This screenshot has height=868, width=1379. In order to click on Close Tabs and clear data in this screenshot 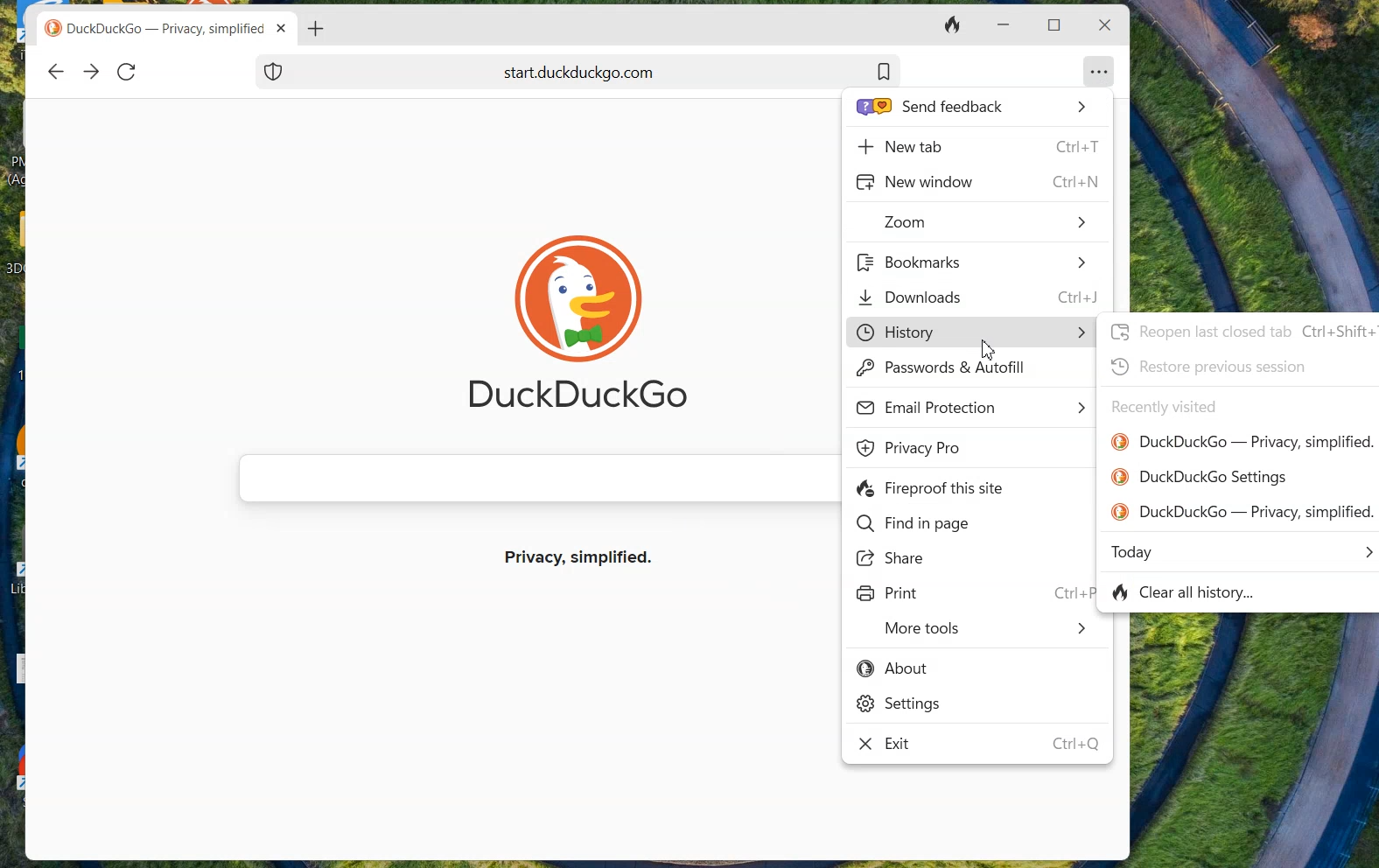, I will do `click(955, 25)`.